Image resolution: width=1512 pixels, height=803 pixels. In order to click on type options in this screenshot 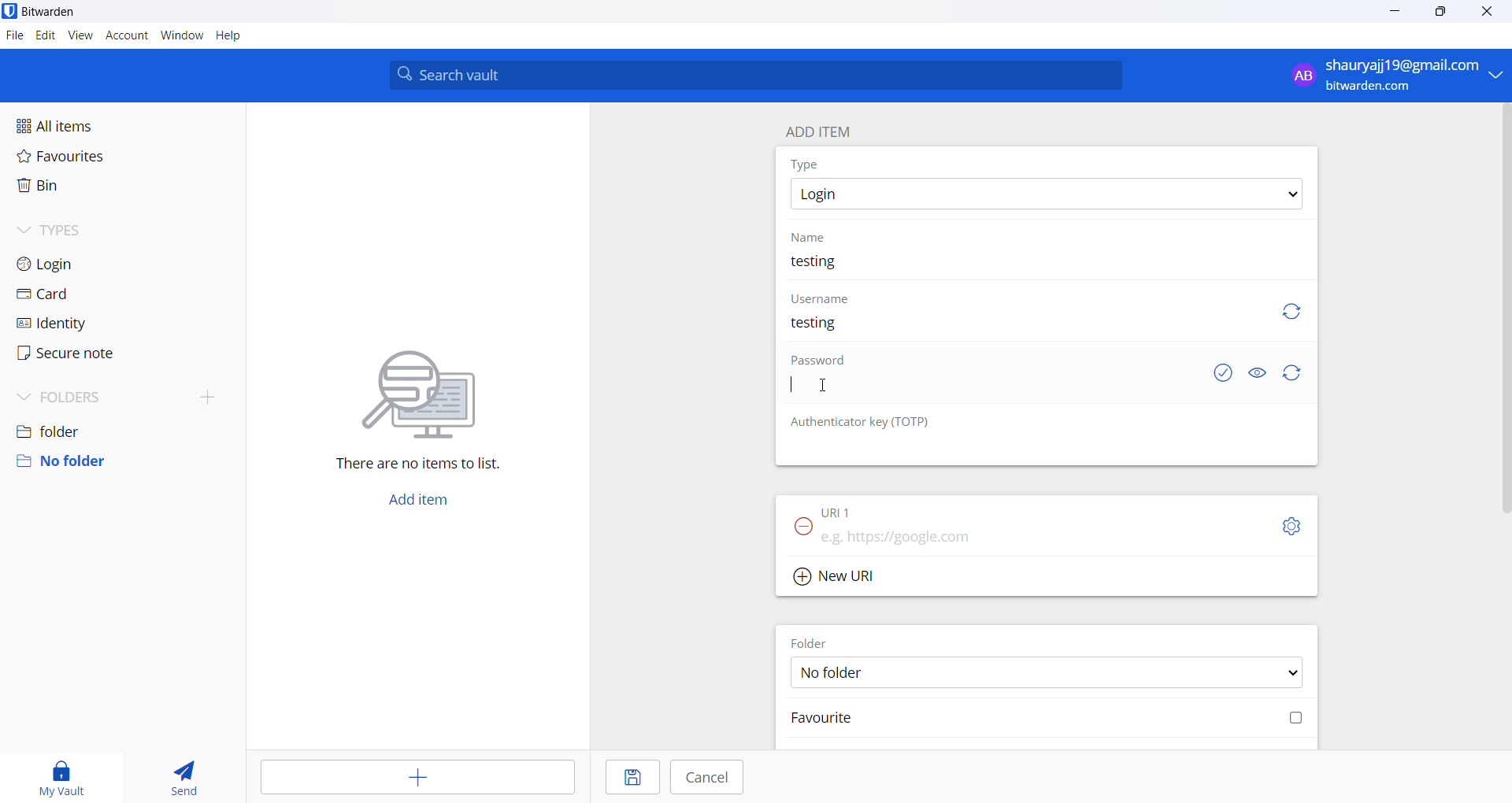, I will do `click(1045, 194)`.